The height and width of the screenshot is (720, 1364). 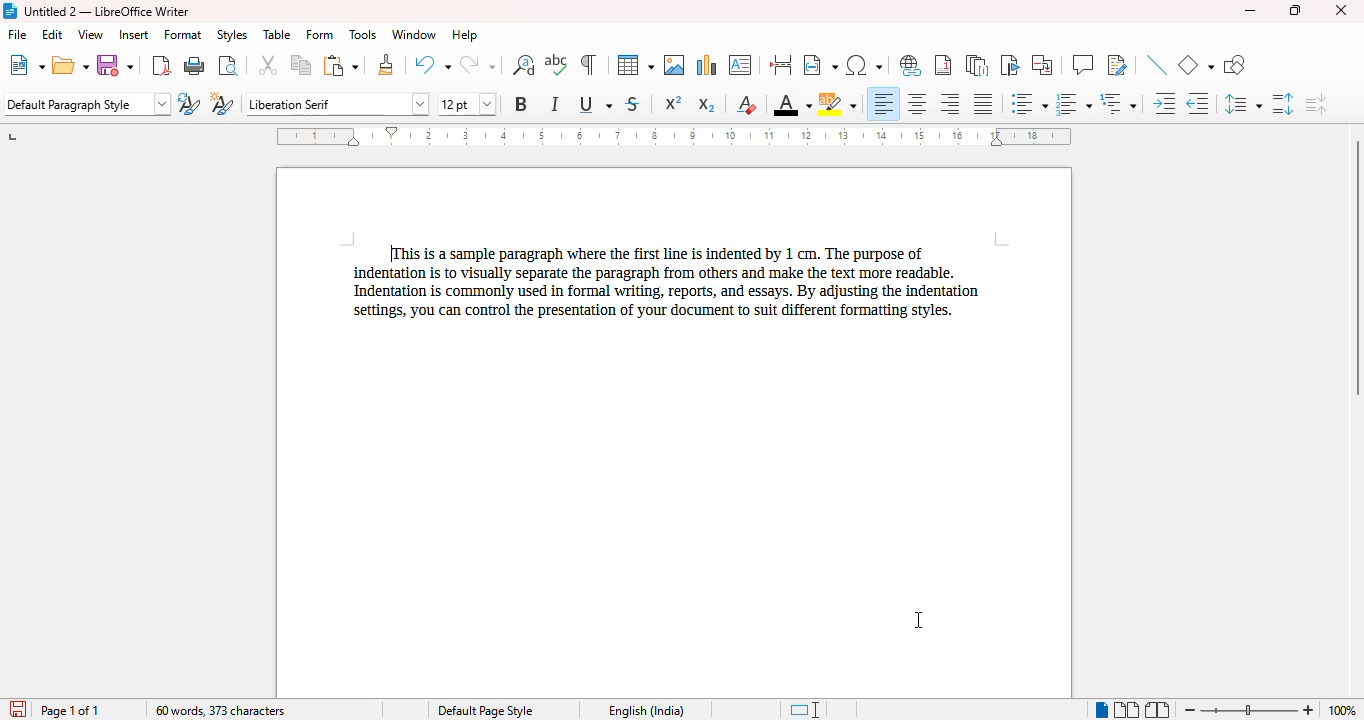 What do you see at coordinates (882, 103) in the screenshot?
I see `align left` at bounding box center [882, 103].